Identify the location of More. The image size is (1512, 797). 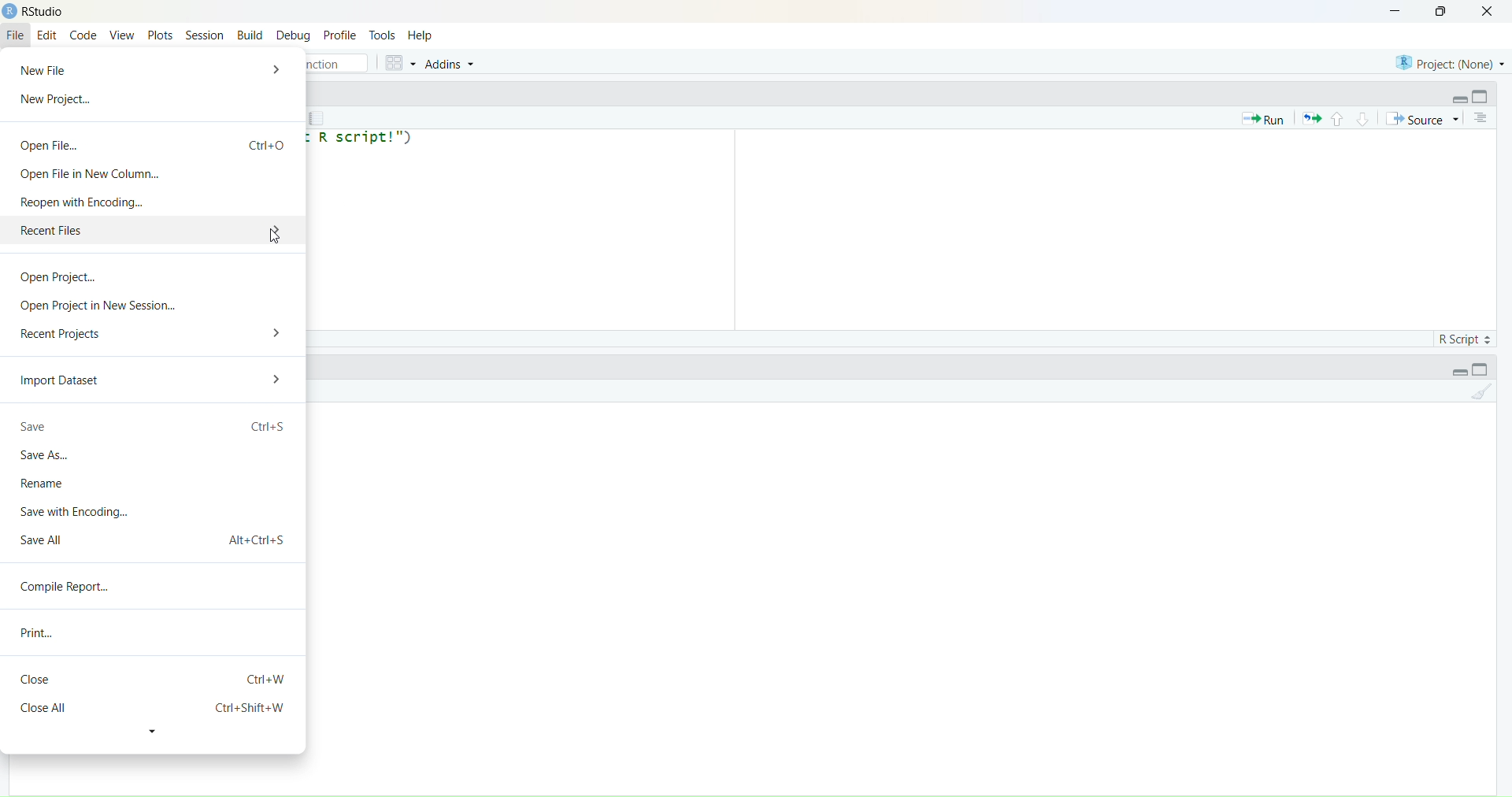
(280, 380).